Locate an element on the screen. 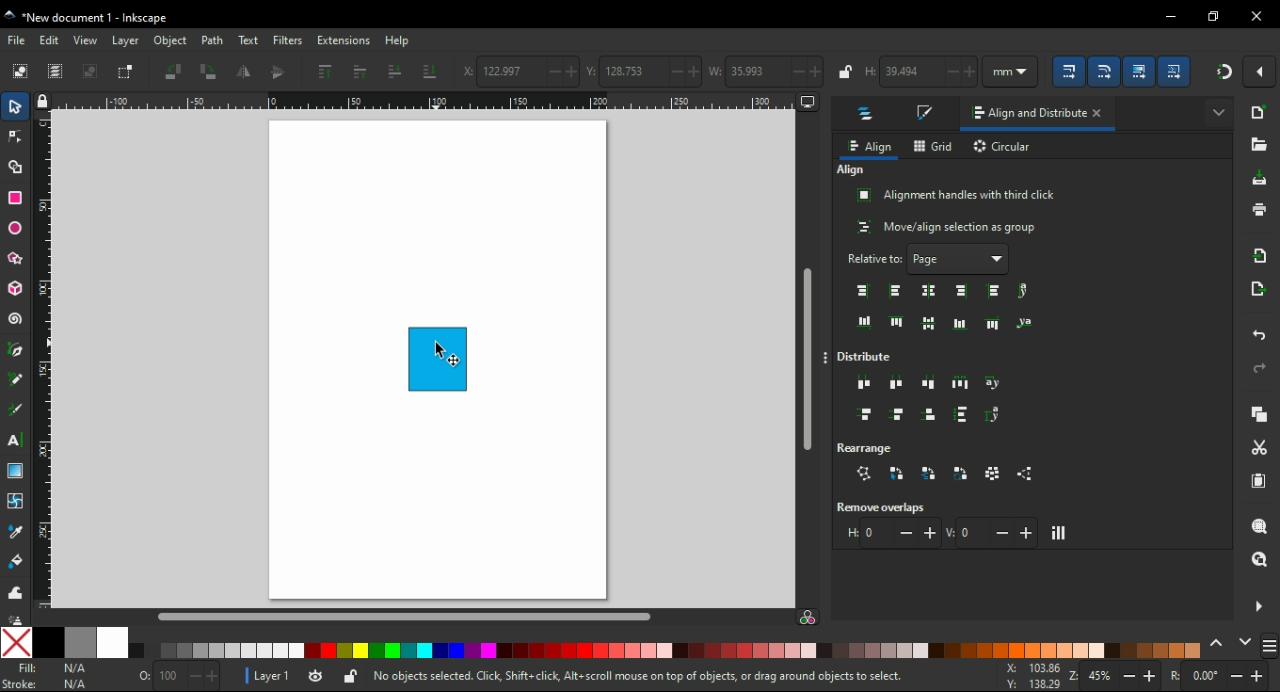 The image size is (1280, 692). grid is located at coordinates (932, 146).